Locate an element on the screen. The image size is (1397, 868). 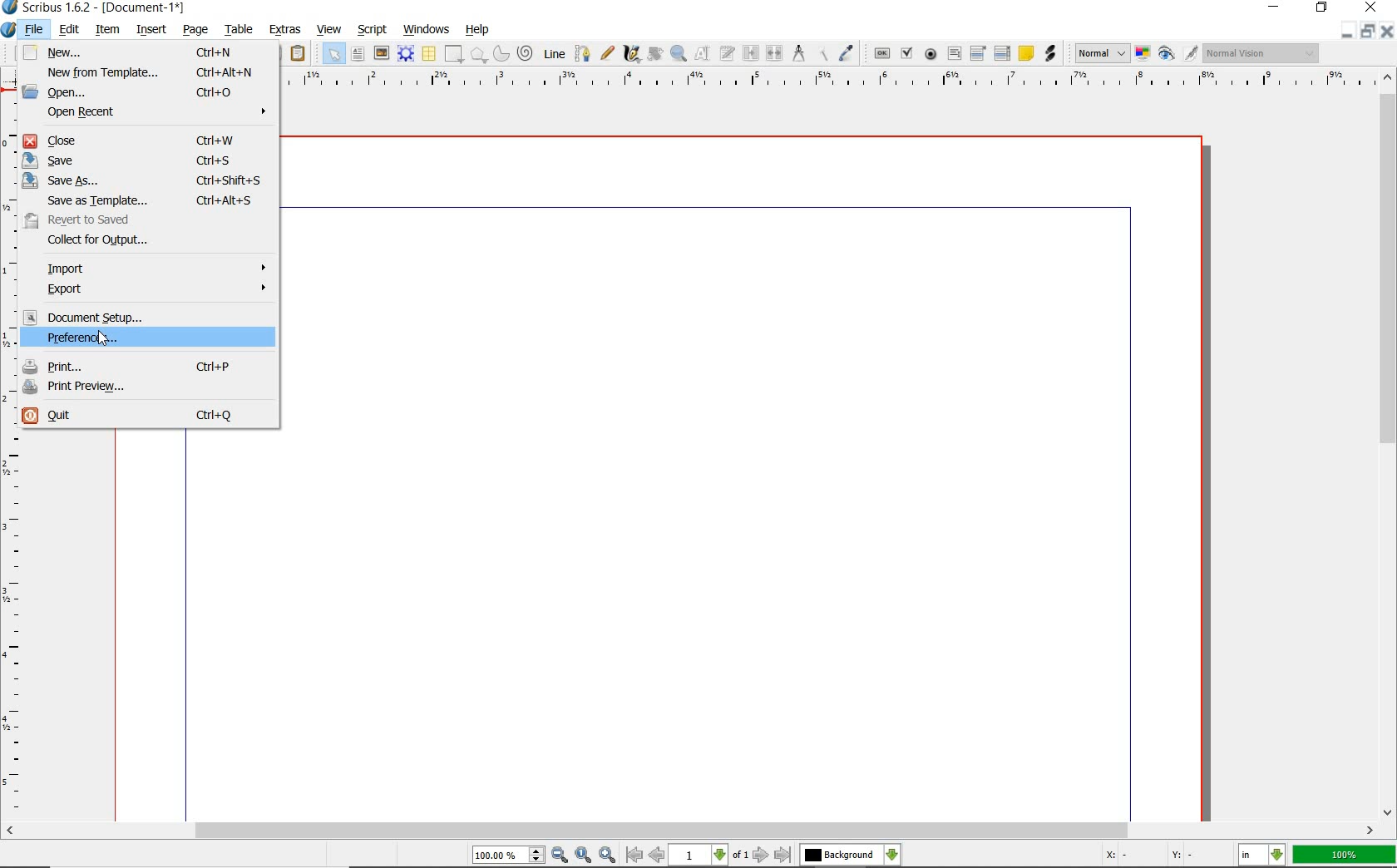
OPEN RECENT is located at coordinates (155, 115).